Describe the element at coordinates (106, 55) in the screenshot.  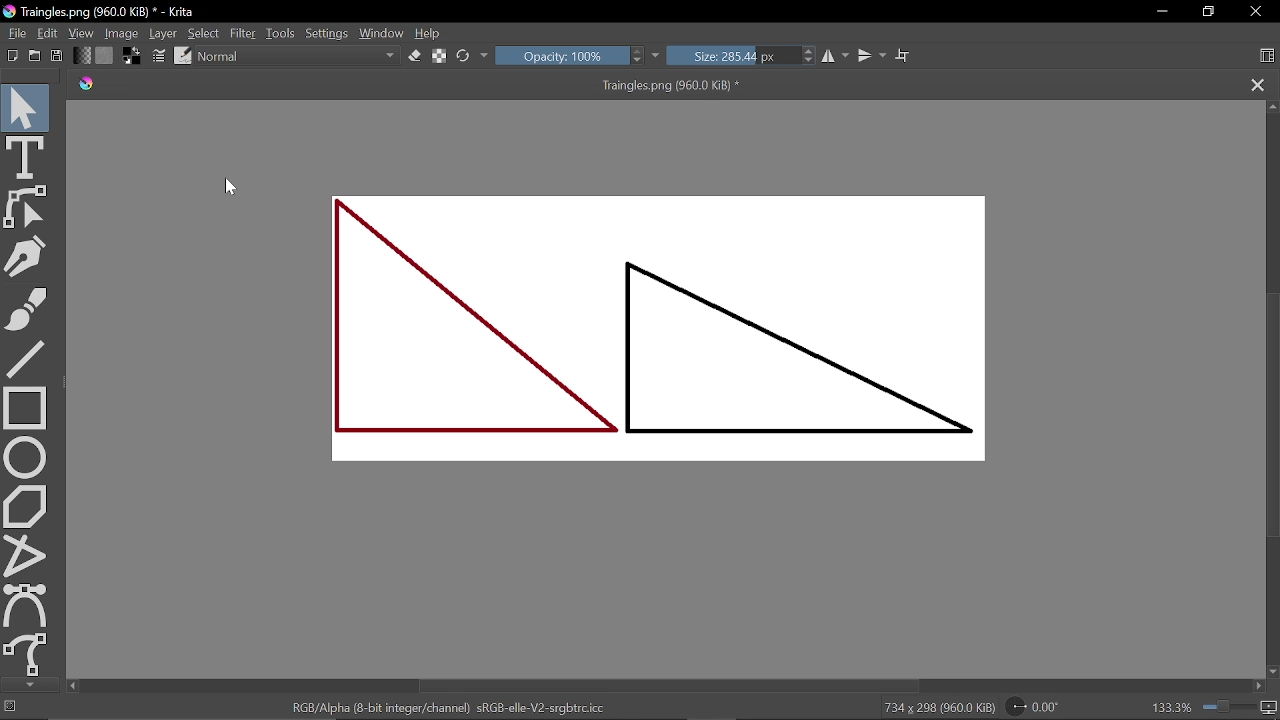
I see `Fill pattern` at that location.